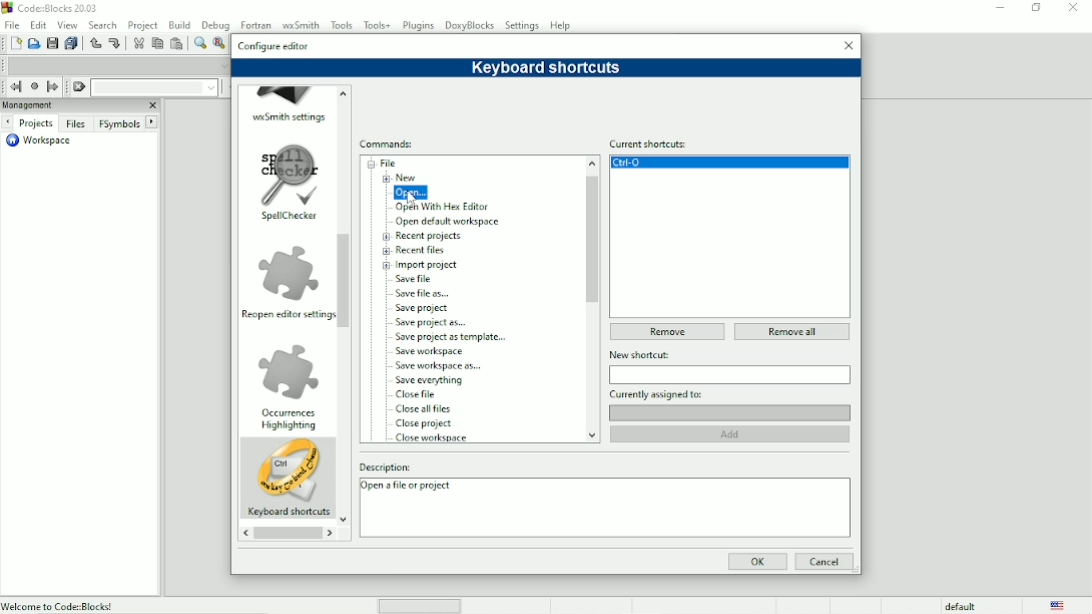 Image resolution: width=1092 pixels, height=614 pixels. Describe the element at coordinates (996, 8) in the screenshot. I see `Minimize` at that location.